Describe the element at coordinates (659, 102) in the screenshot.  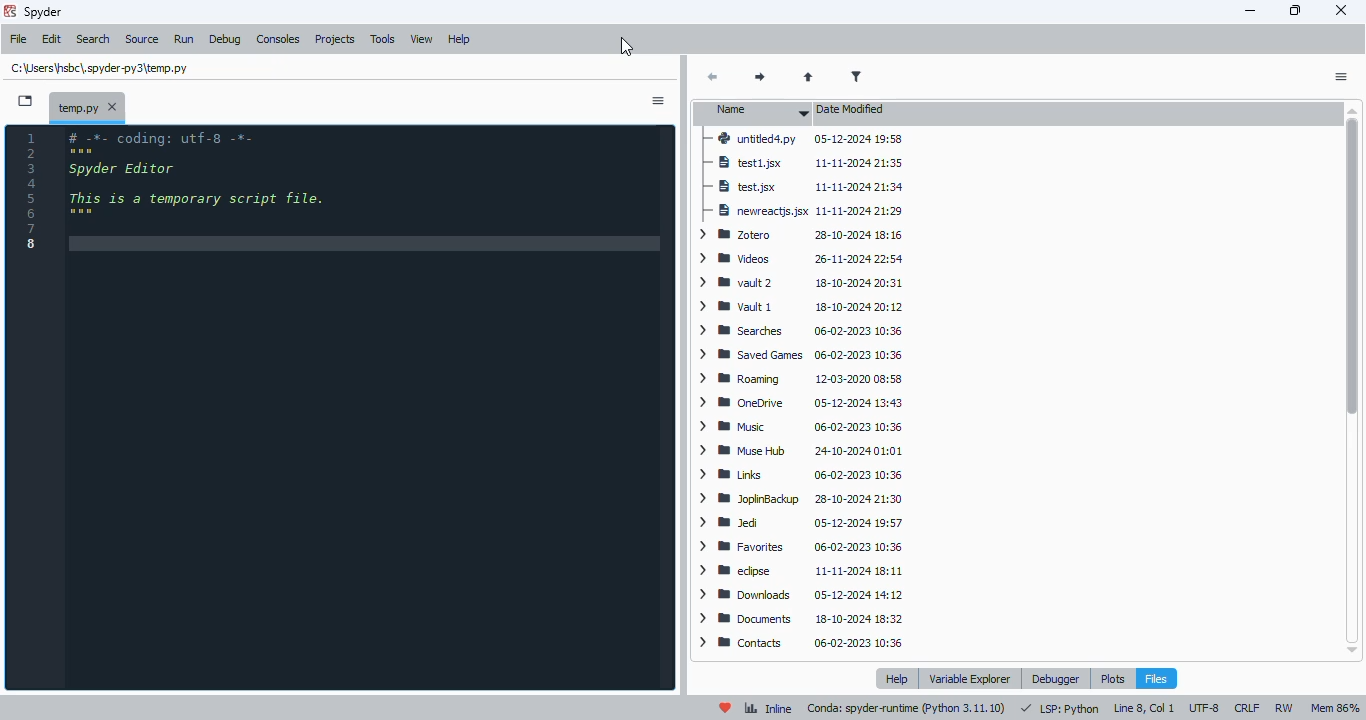
I see `sidebar` at that location.